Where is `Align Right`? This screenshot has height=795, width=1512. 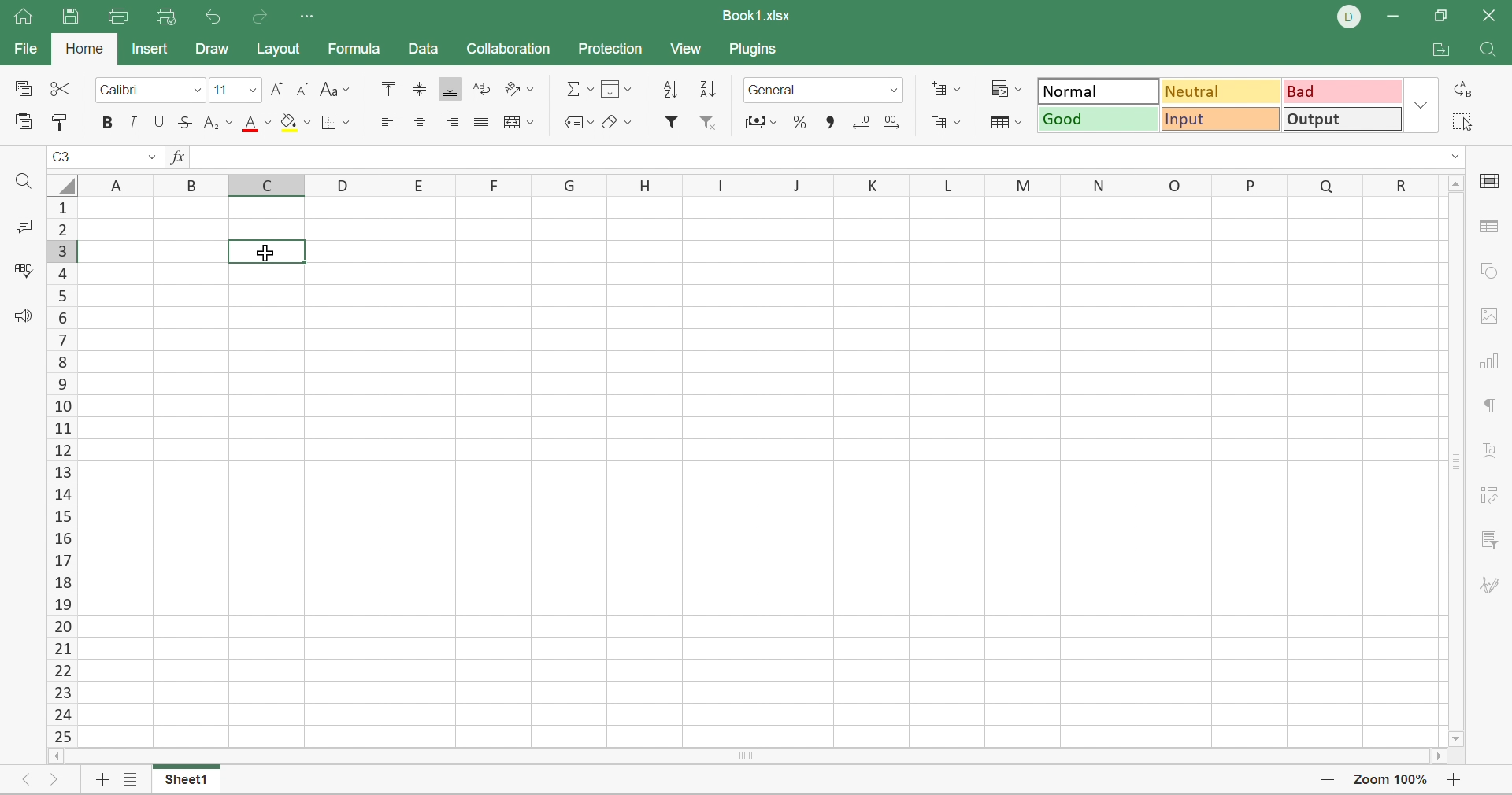 Align Right is located at coordinates (454, 121).